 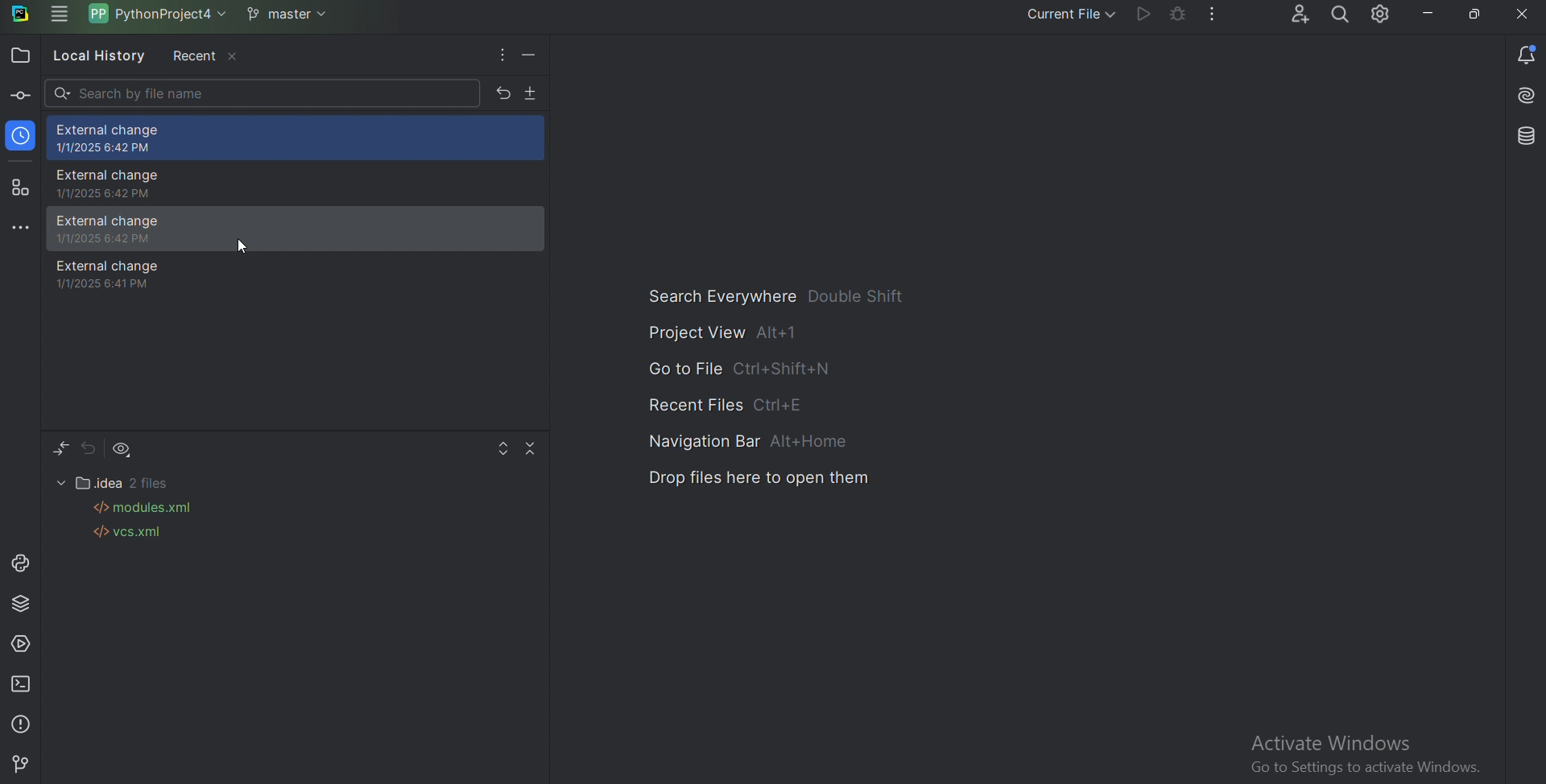 I want to click on Commit, so click(x=19, y=96).